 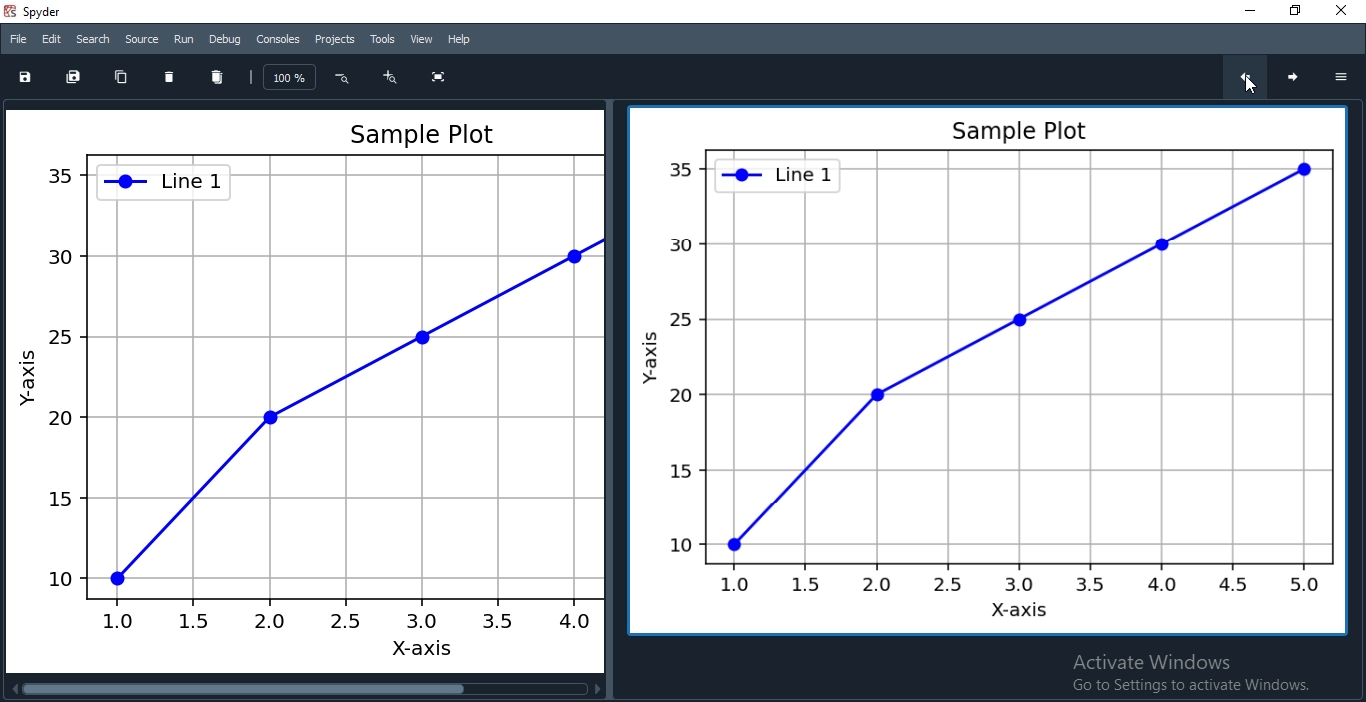 What do you see at coordinates (74, 76) in the screenshot?
I see `save all` at bounding box center [74, 76].